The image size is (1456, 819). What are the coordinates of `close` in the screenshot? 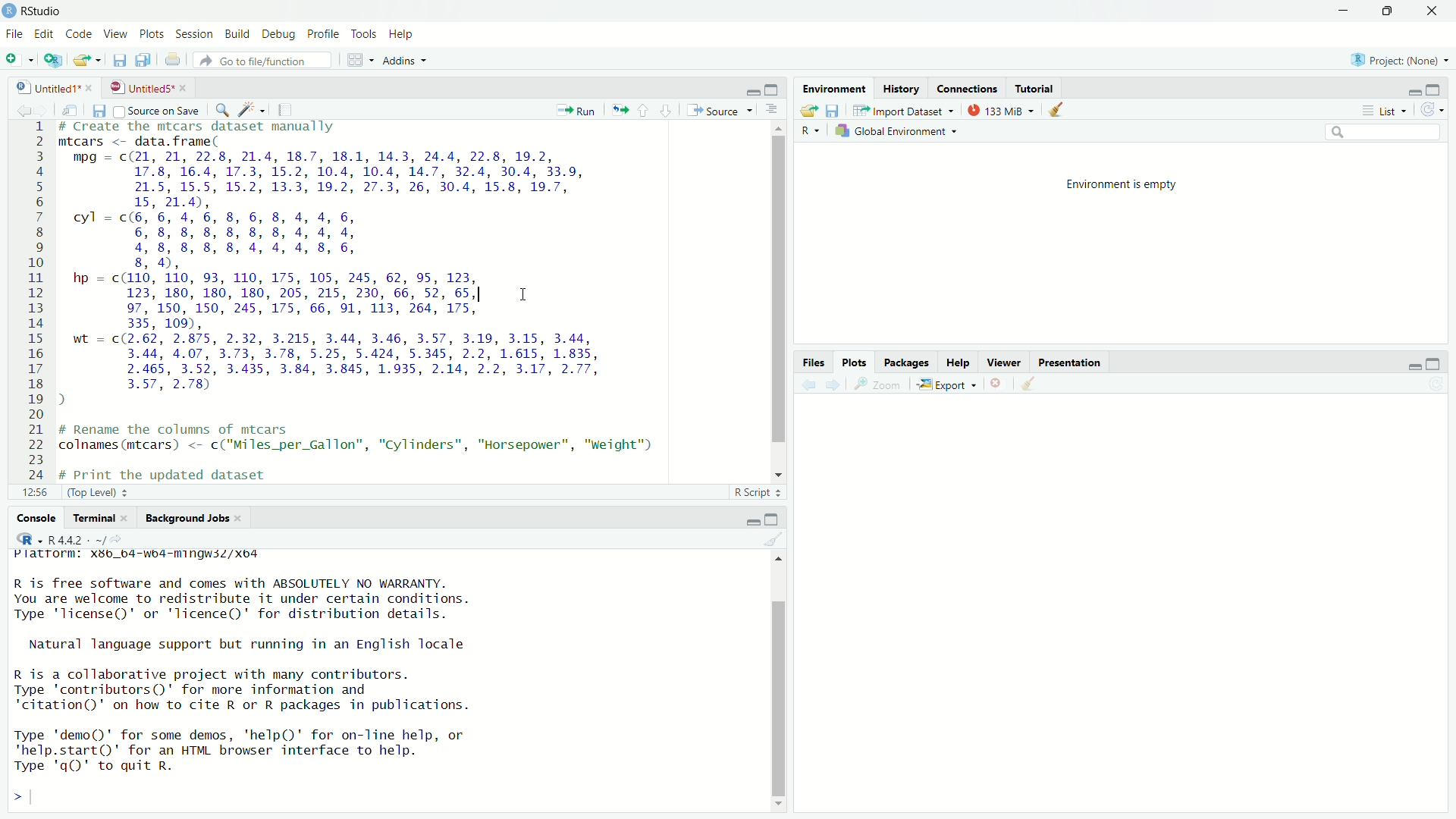 It's located at (997, 386).